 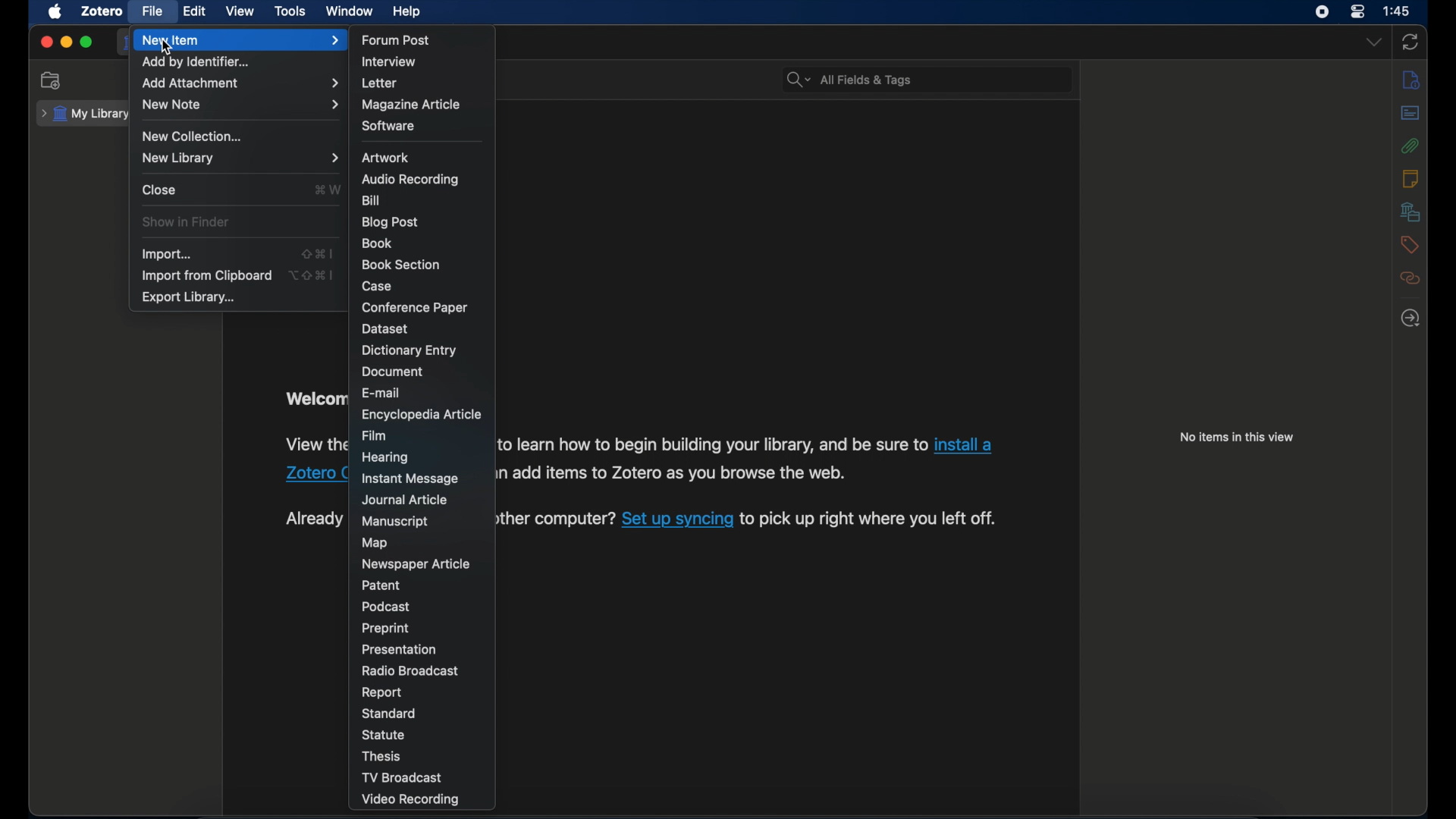 I want to click on import, so click(x=168, y=254).